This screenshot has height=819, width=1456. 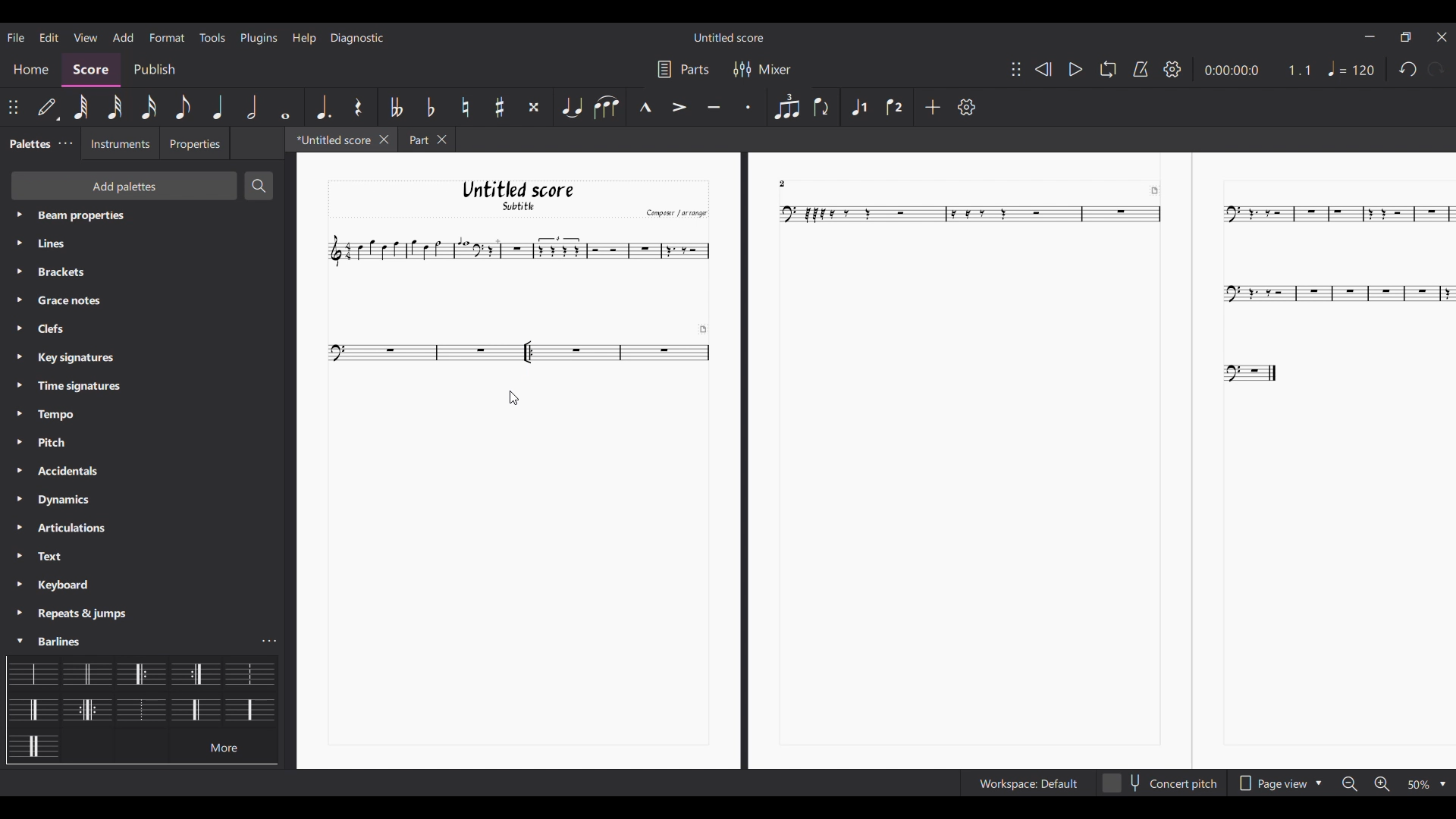 I want to click on Barline options, so click(x=247, y=673).